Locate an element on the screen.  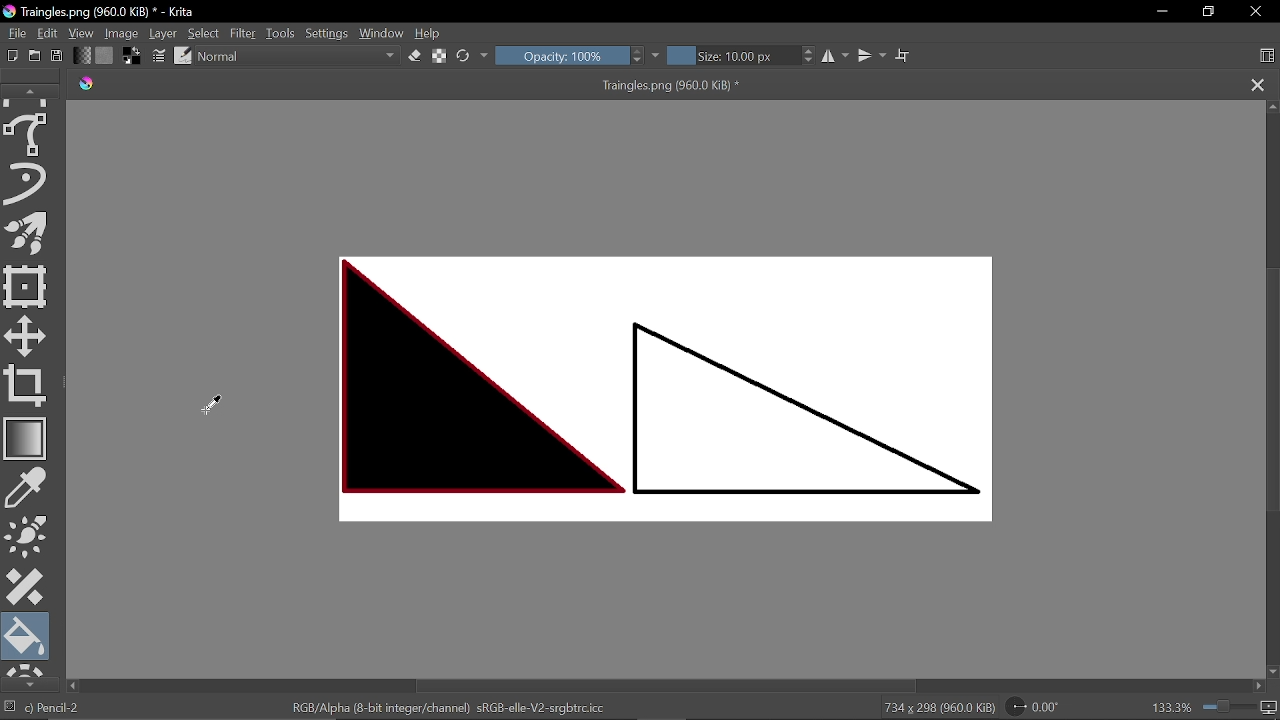
Eraser is located at coordinates (415, 57).